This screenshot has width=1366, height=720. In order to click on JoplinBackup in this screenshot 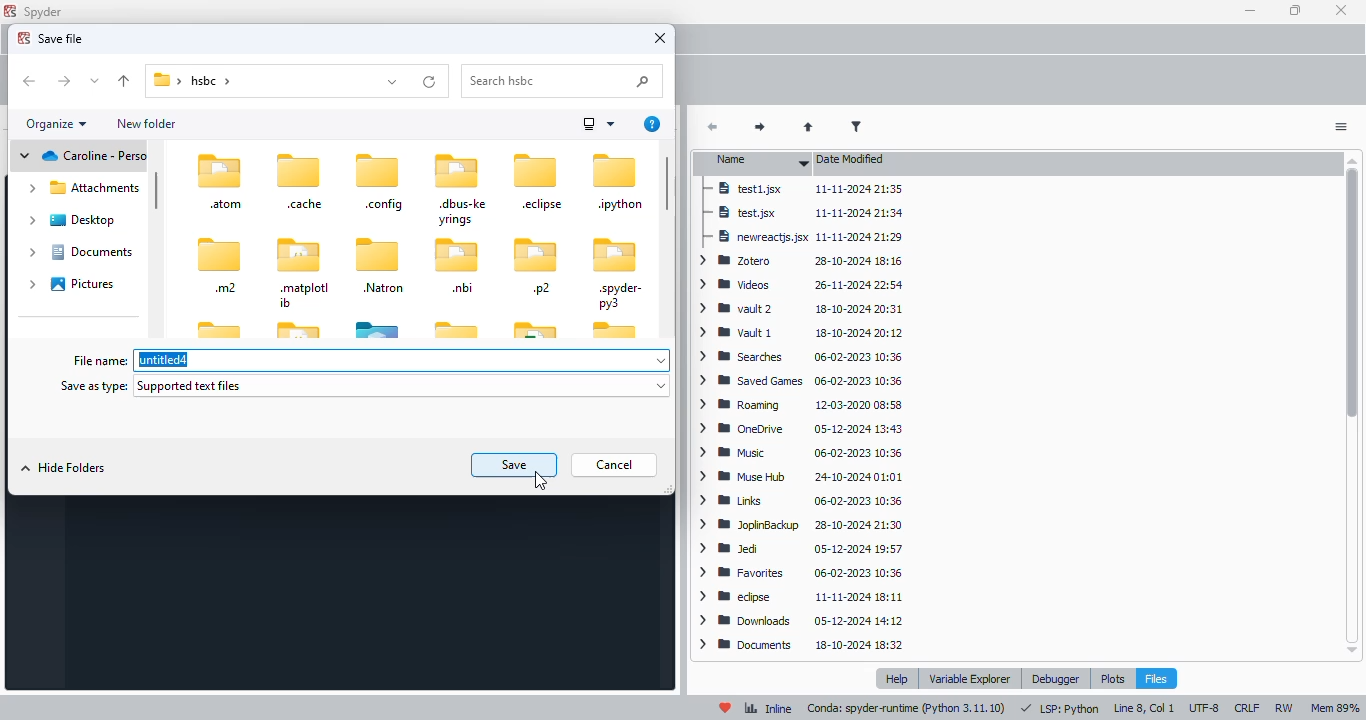, I will do `click(751, 526)`.